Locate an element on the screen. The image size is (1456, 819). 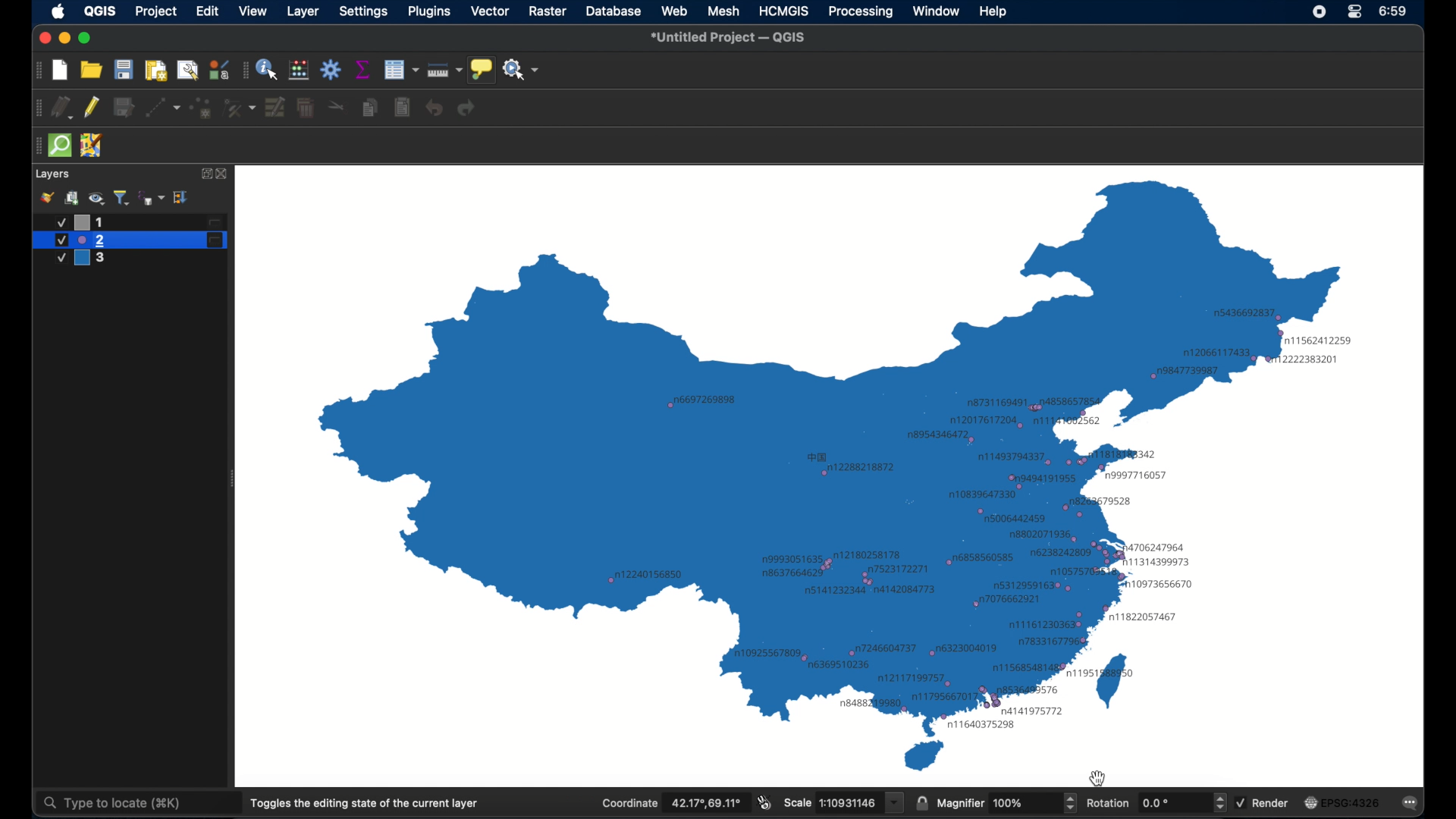
rotation is located at coordinates (1156, 802).